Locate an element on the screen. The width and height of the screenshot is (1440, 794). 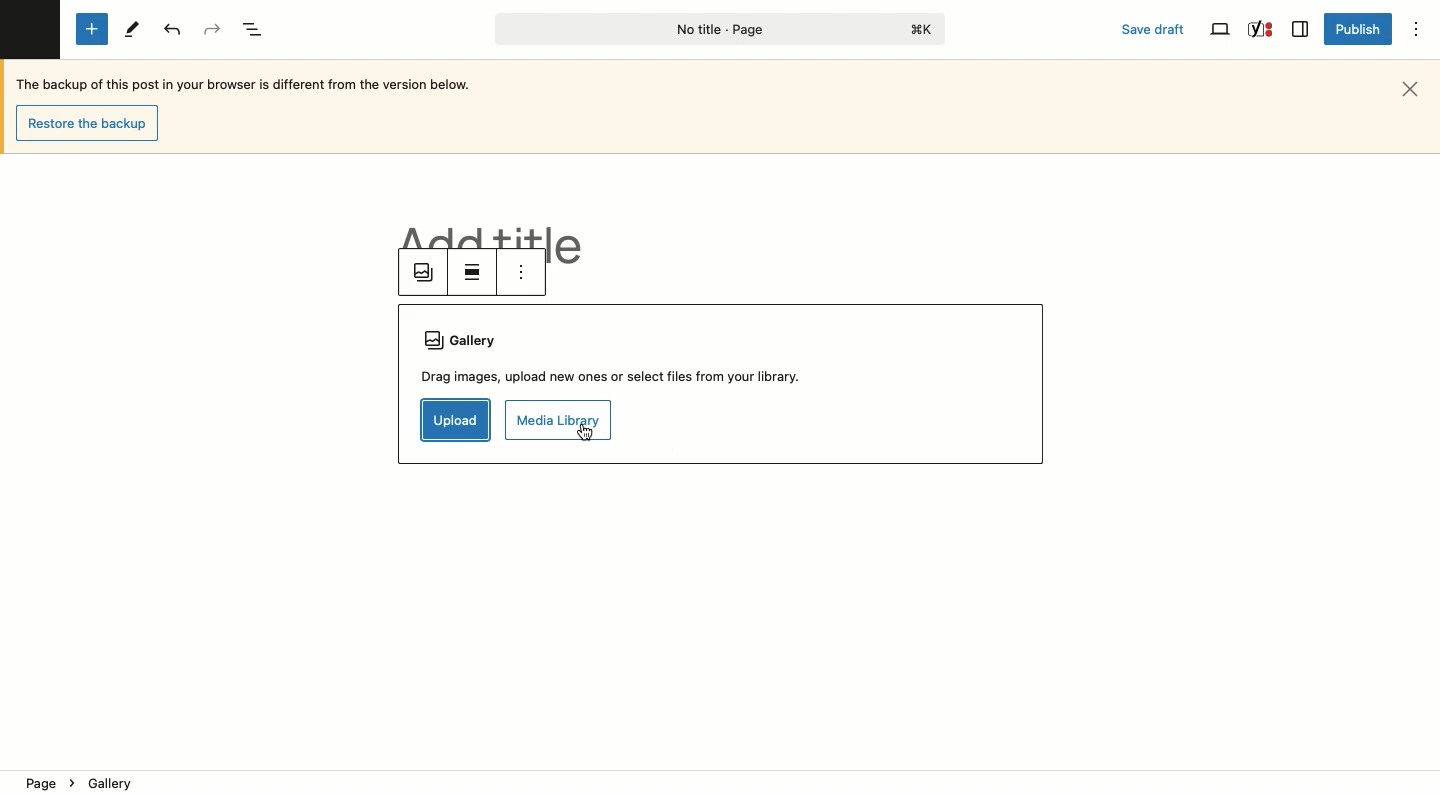
Document overview is located at coordinates (256, 29).